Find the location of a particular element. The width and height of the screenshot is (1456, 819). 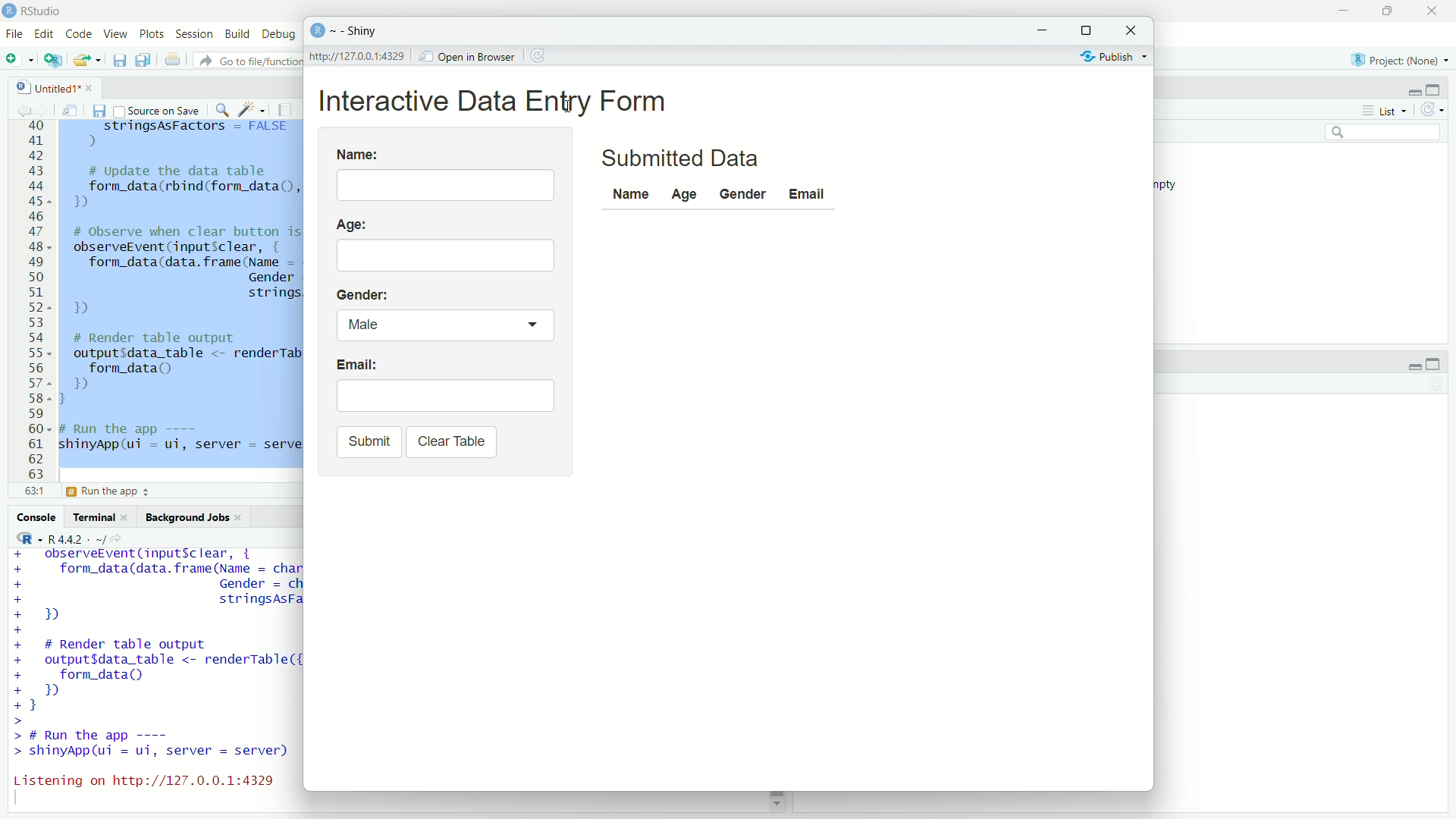

refresh the list of objects in the environment is located at coordinates (1438, 111).